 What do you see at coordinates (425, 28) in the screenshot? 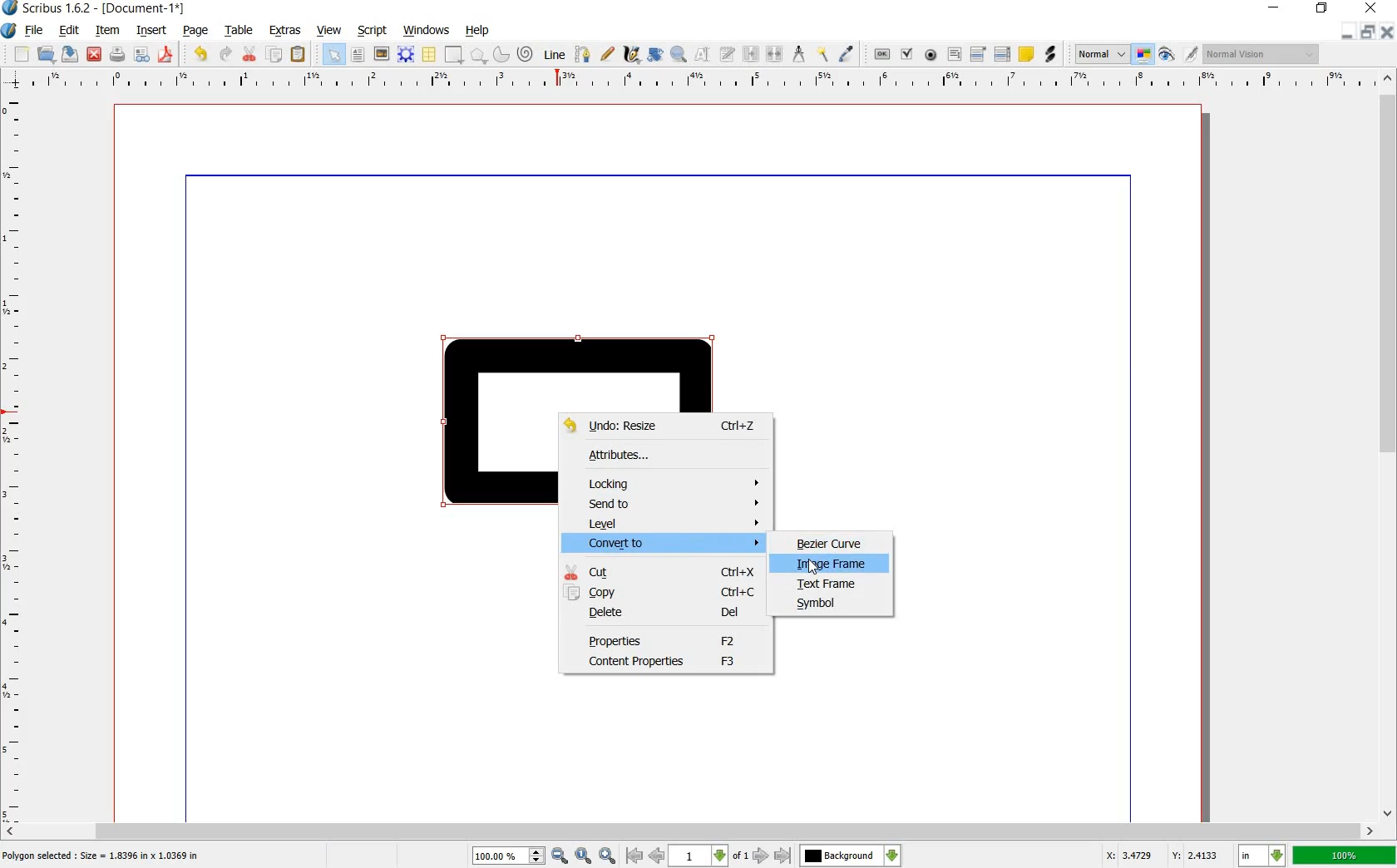
I see `windows` at bounding box center [425, 28].